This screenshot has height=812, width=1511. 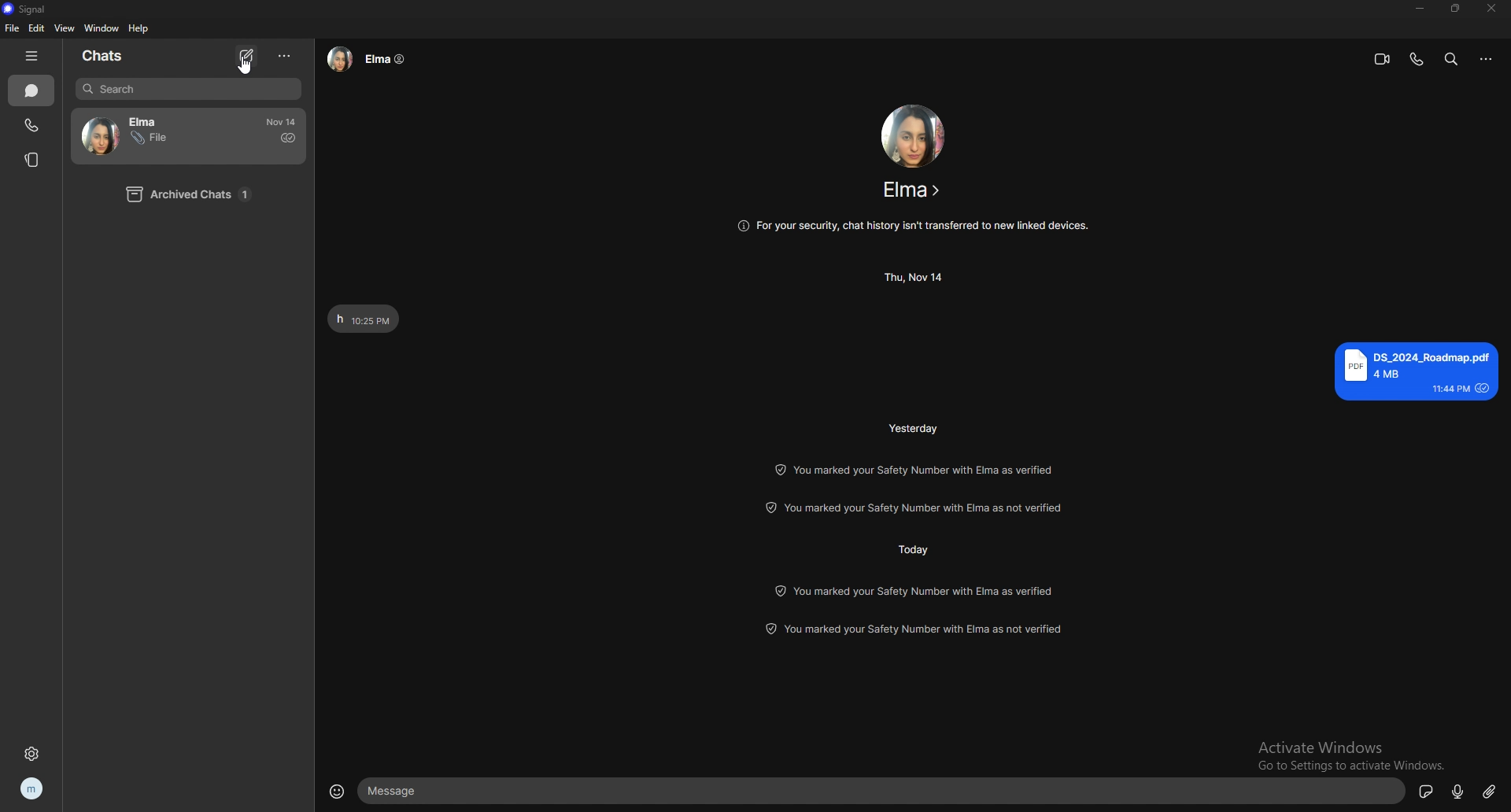 I want to click on resize, so click(x=1457, y=8).